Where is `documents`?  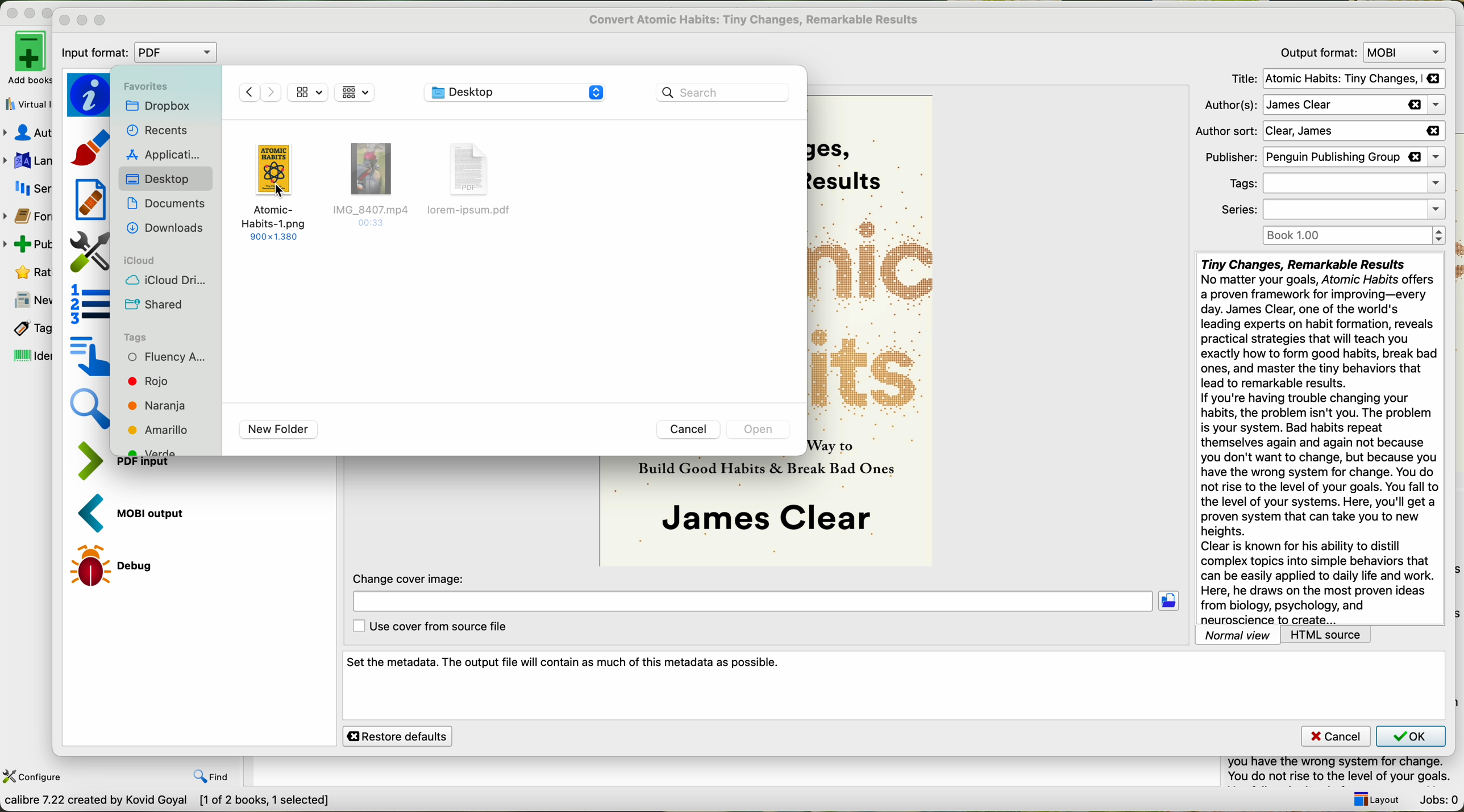 documents is located at coordinates (165, 206).